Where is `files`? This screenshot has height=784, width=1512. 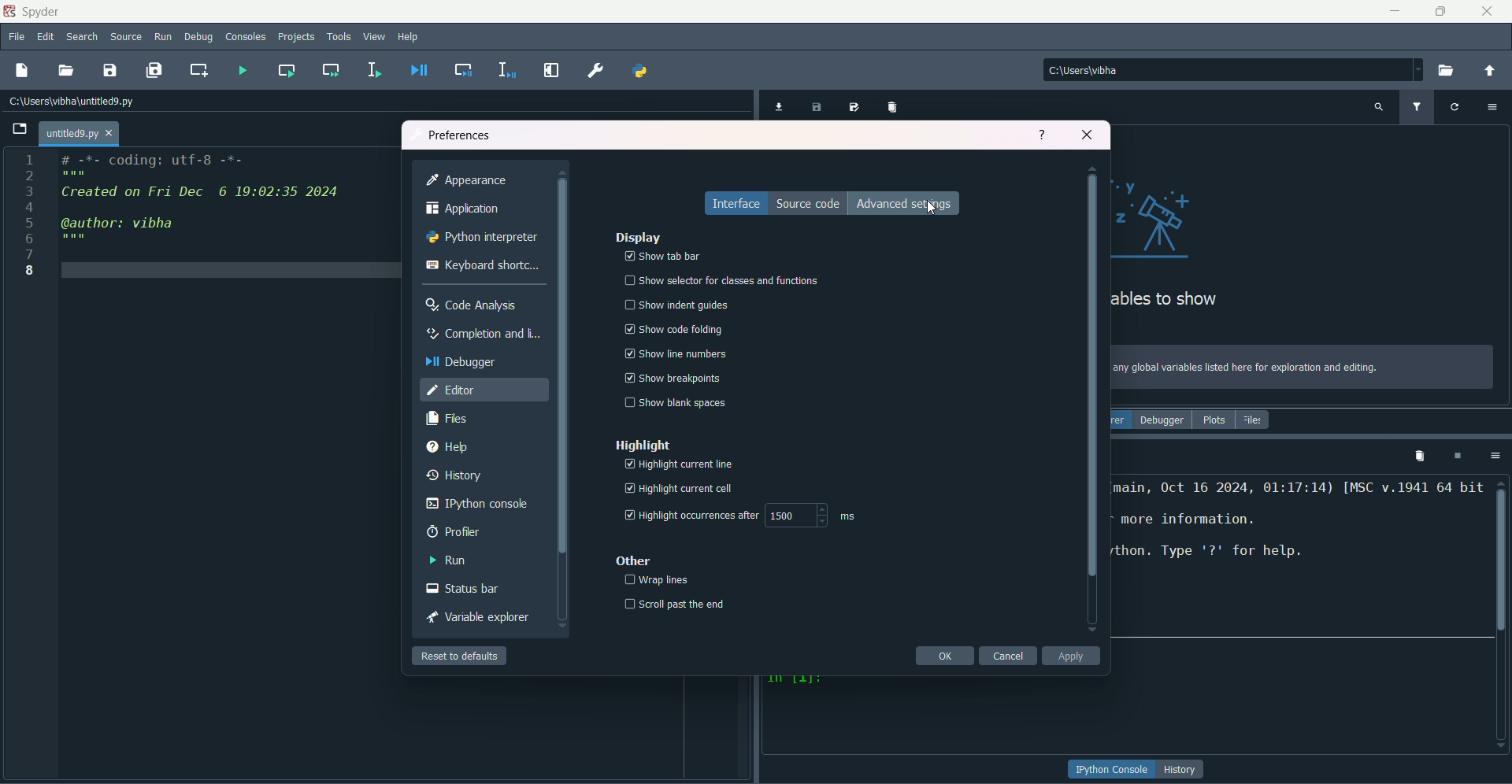 files is located at coordinates (447, 420).